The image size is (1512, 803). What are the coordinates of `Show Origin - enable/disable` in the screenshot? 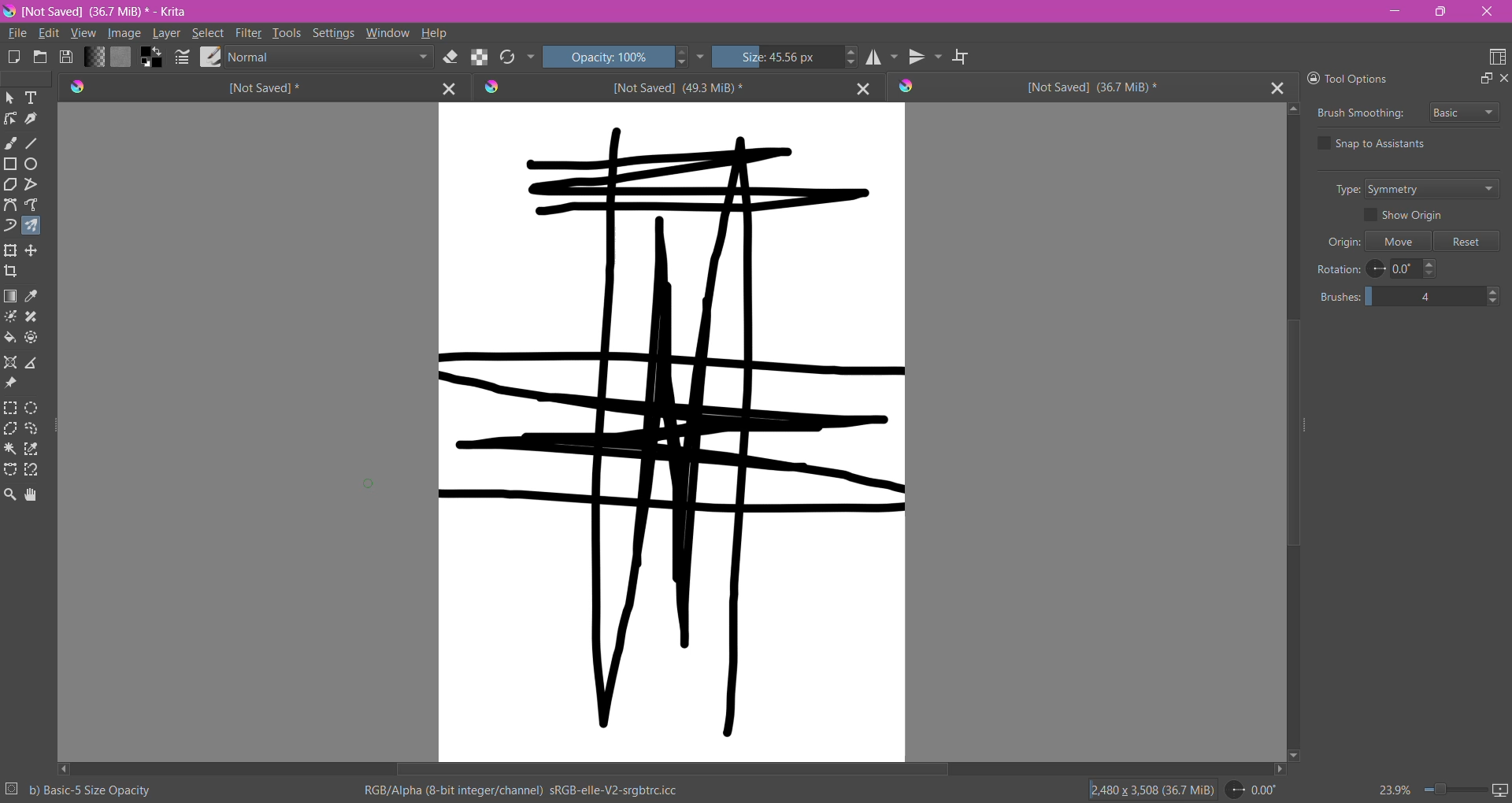 It's located at (1409, 216).